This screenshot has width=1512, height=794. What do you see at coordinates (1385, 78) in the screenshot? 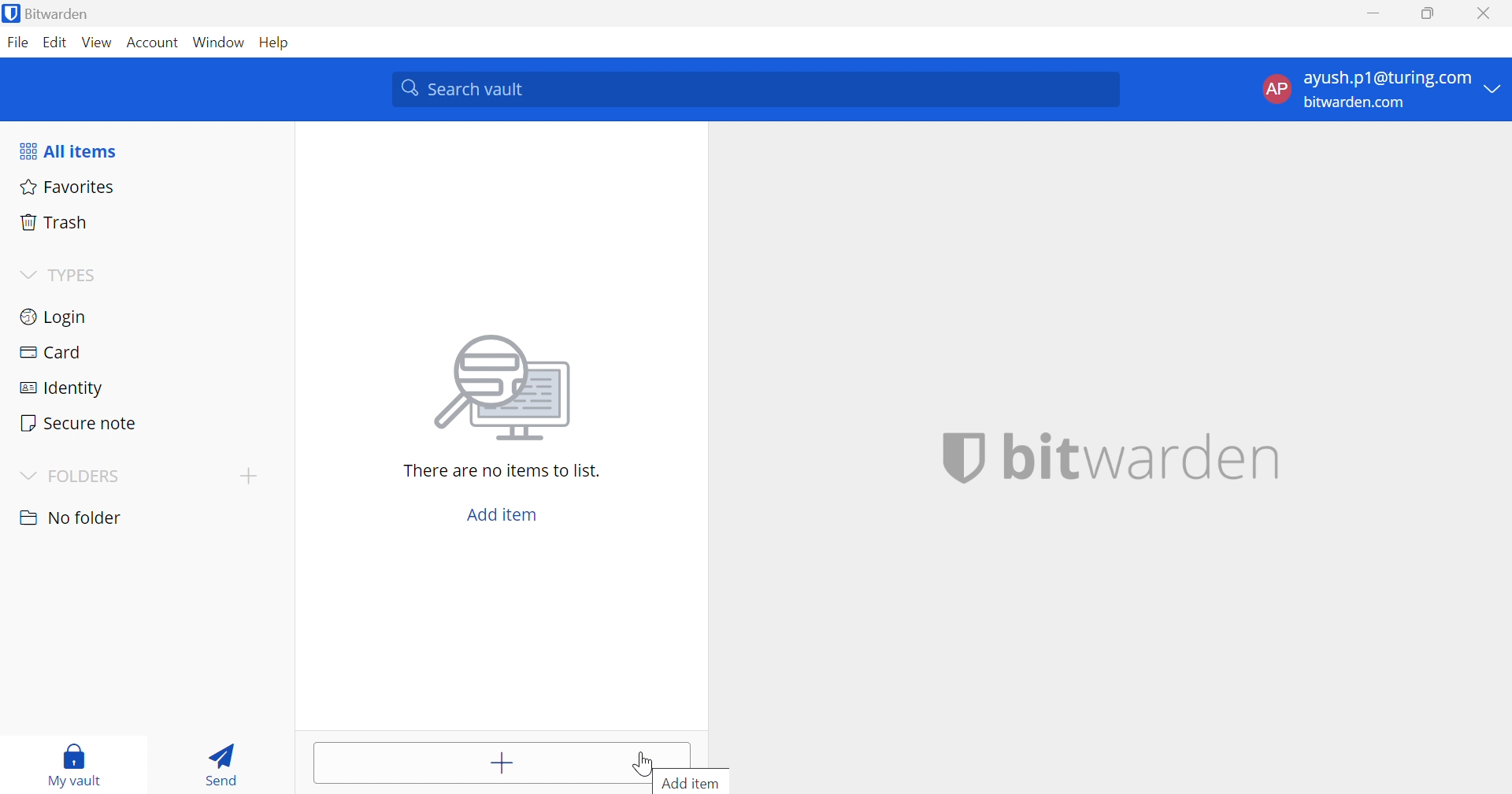
I see `ayush.p1@gmail.com` at bounding box center [1385, 78].